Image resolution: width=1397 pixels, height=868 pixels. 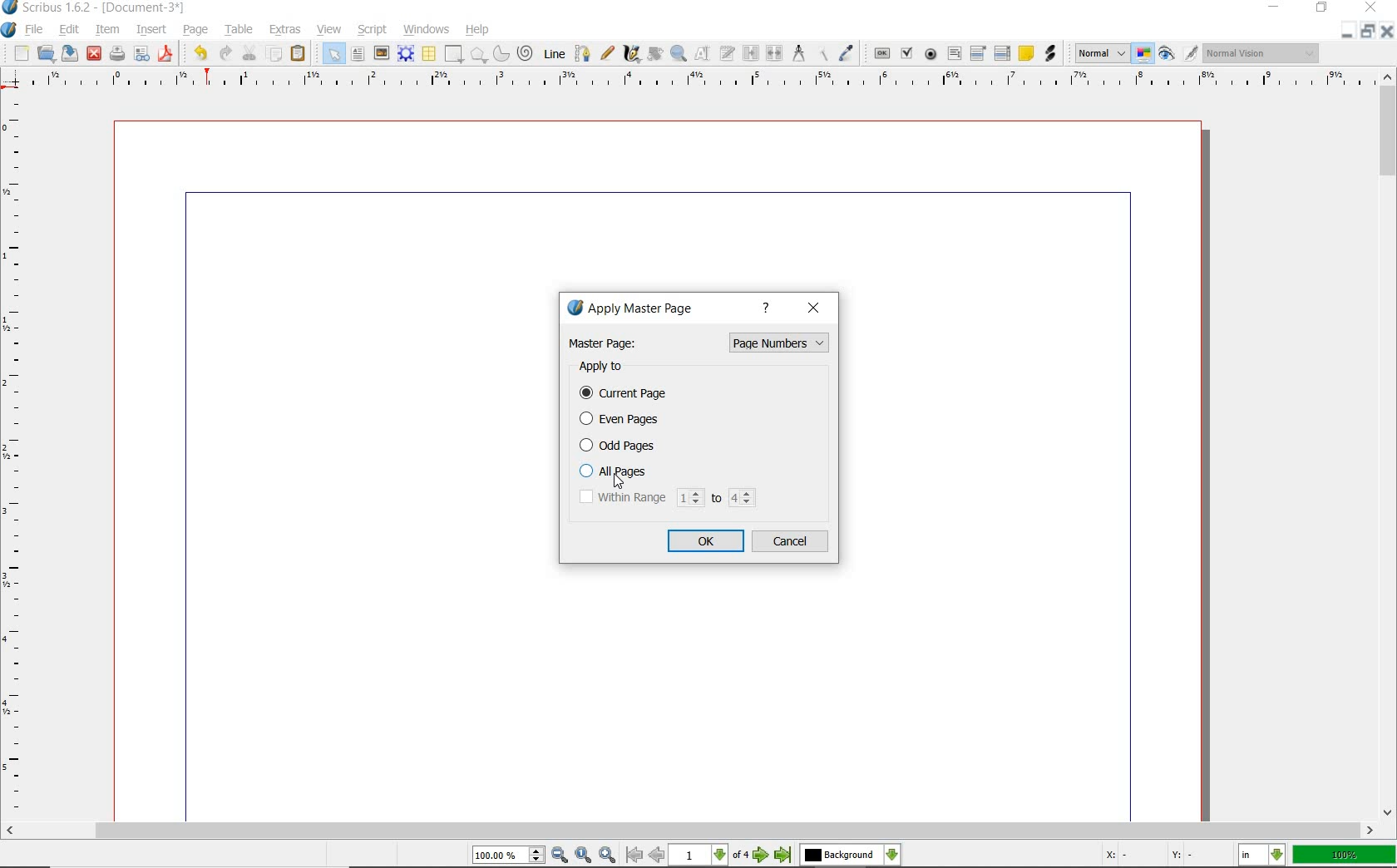 What do you see at coordinates (18, 457) in the screenshot?
I see `Vertical Margin` at bounding box center [18, 457].